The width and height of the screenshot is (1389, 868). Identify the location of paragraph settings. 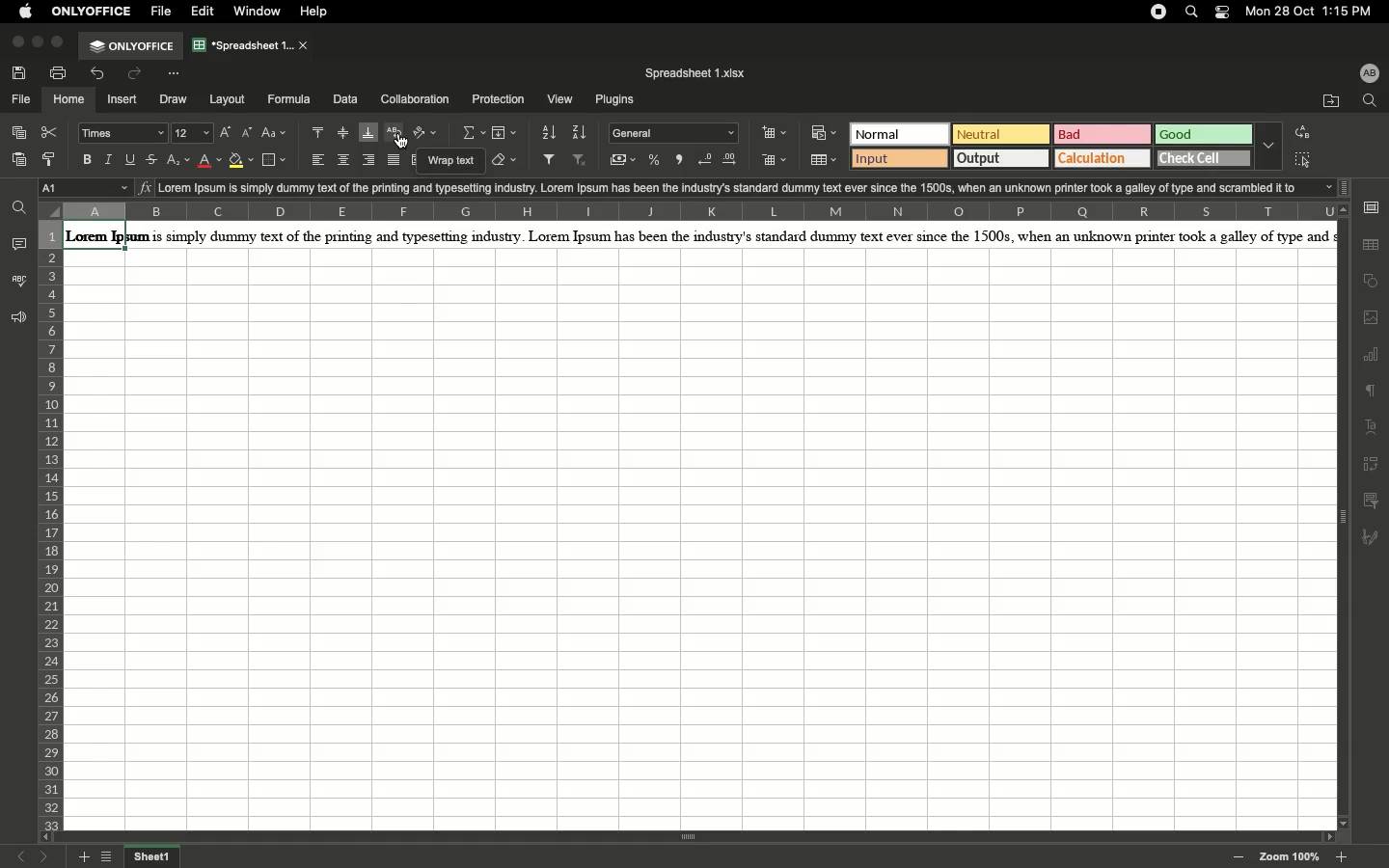
(1371, 392).